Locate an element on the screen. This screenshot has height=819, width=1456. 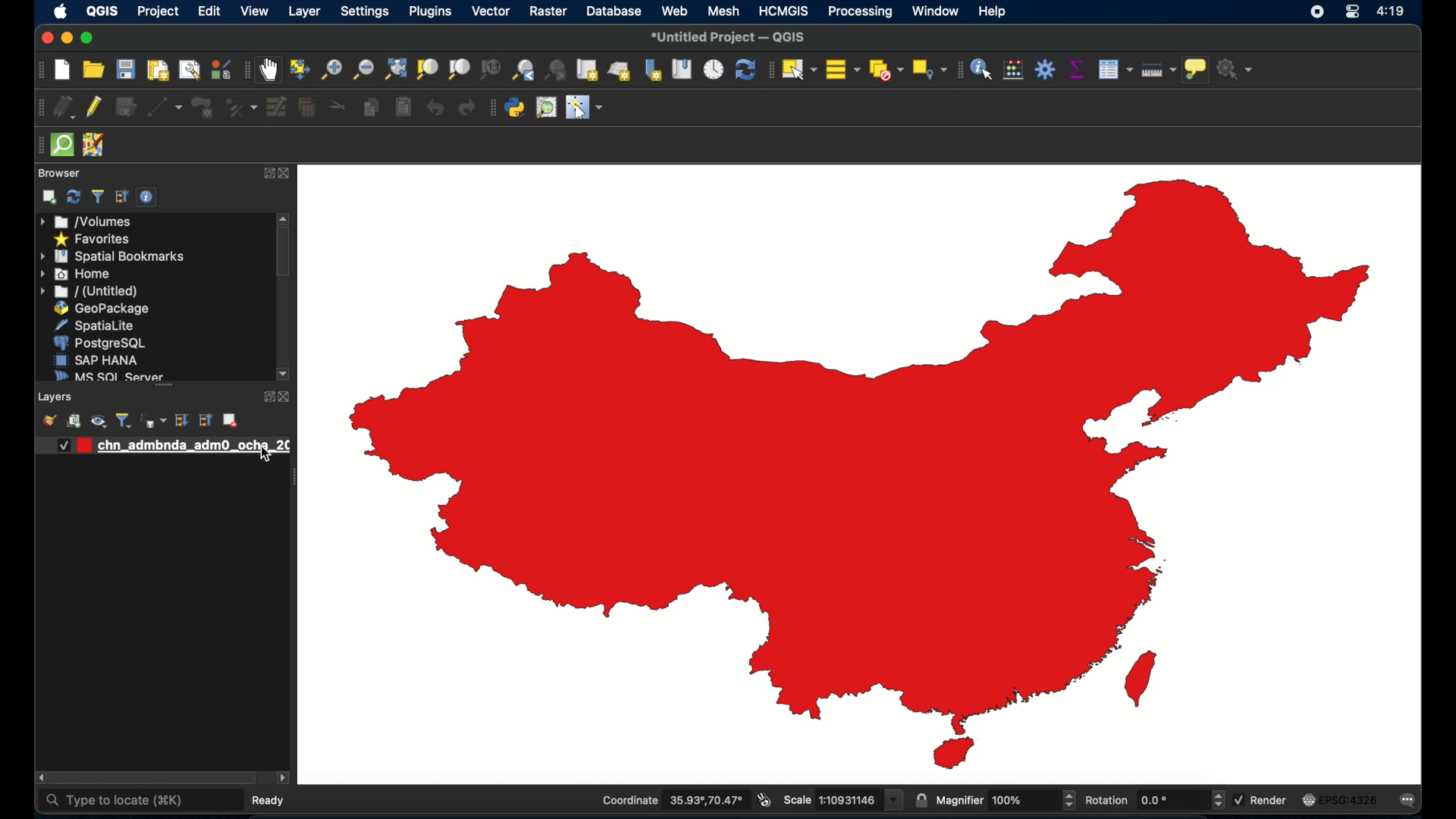
minimize  is located at coordinates (65, 39).